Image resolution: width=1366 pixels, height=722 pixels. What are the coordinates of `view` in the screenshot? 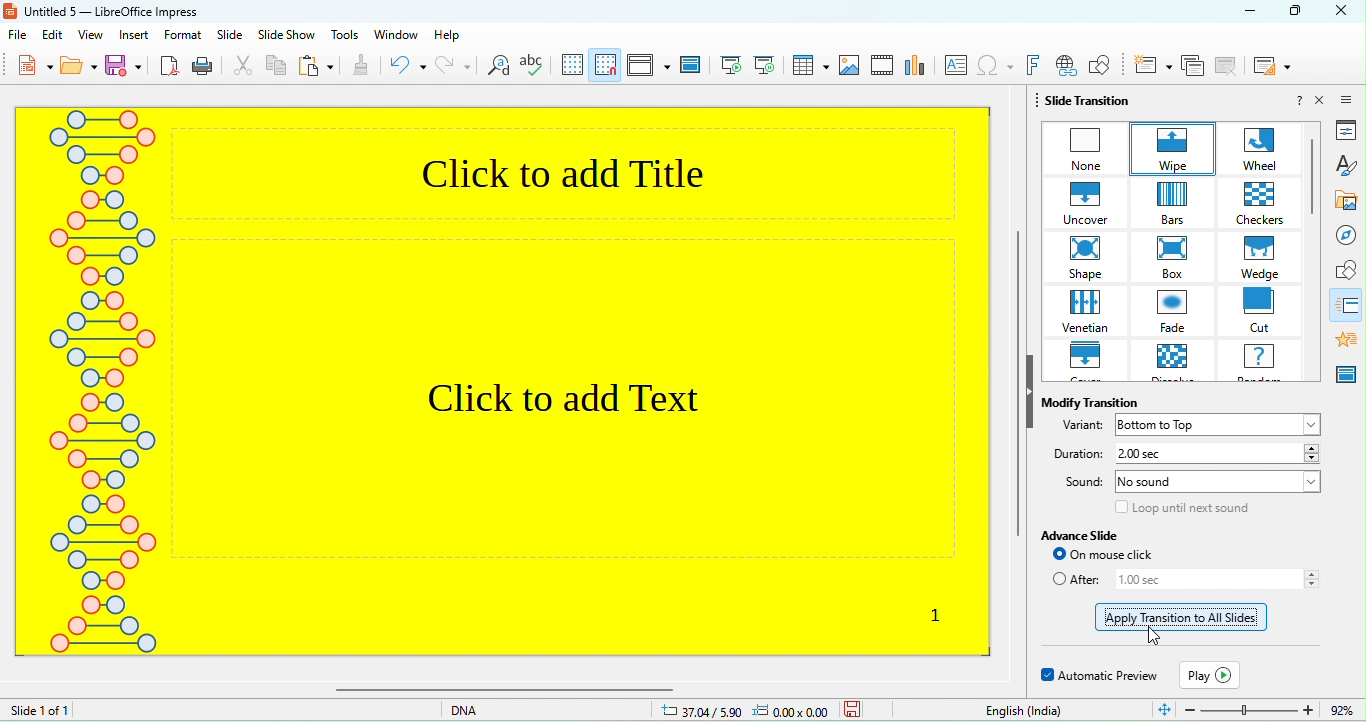 It's located at (92, 36).